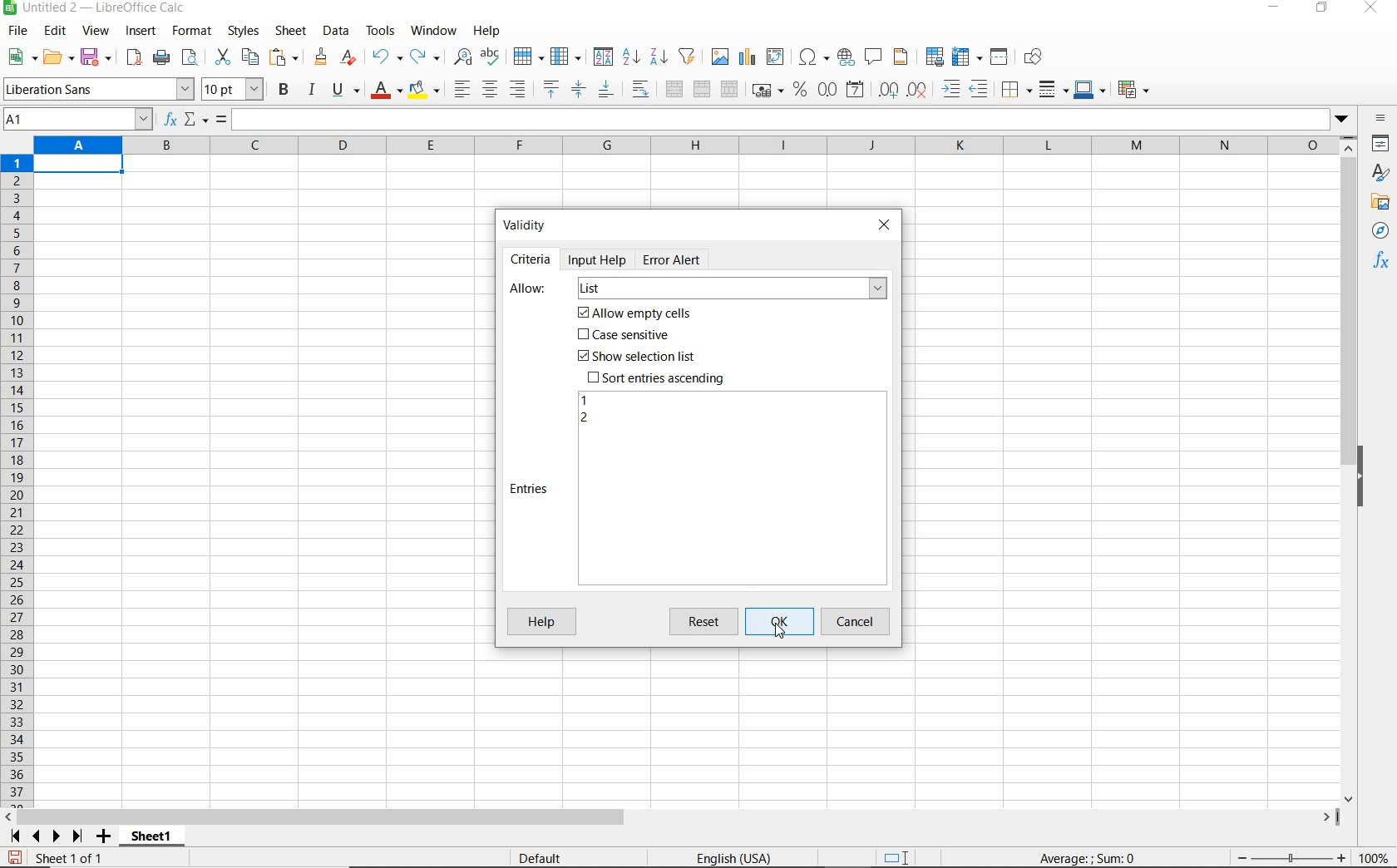 Image resolution: width=1397 pixels, height=868 pixels. What do you see at coordinates (884, 223) in the screenshot?
I see `close` at bounding box center [884, 223].